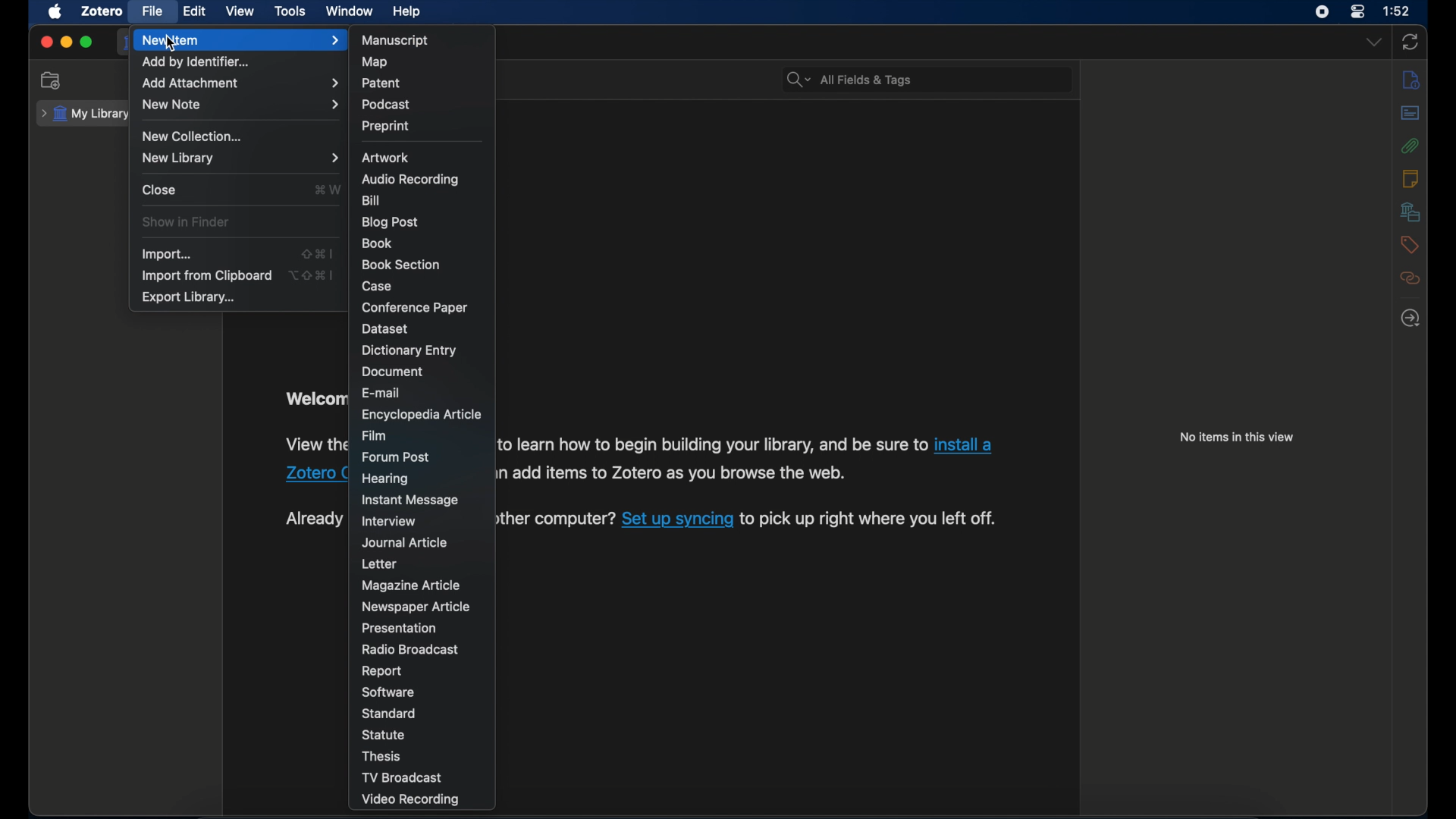 This screenshot has height=819, width=1456. Describe the element at coordinates (376, 61) in the screenshot. I see `map` at that location.